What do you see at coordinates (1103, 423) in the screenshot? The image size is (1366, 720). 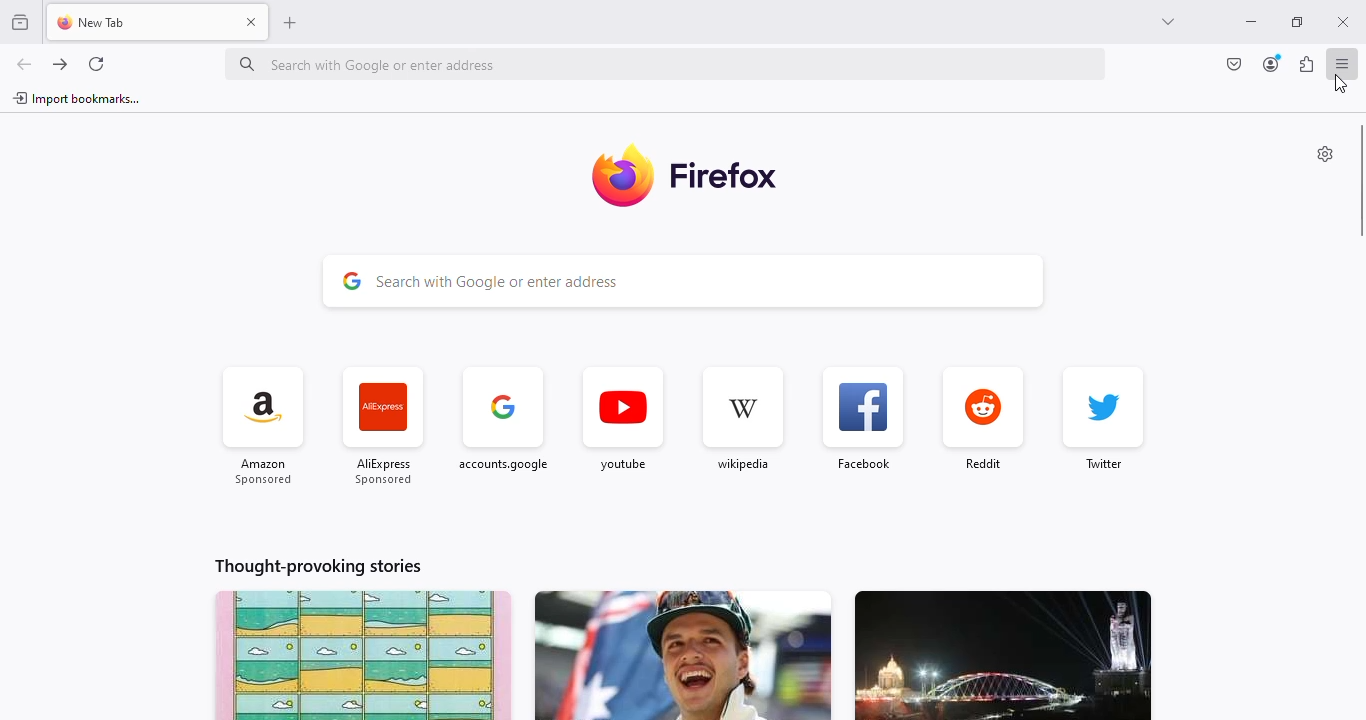 I see `twitter` at bounding box center [1103, 423].